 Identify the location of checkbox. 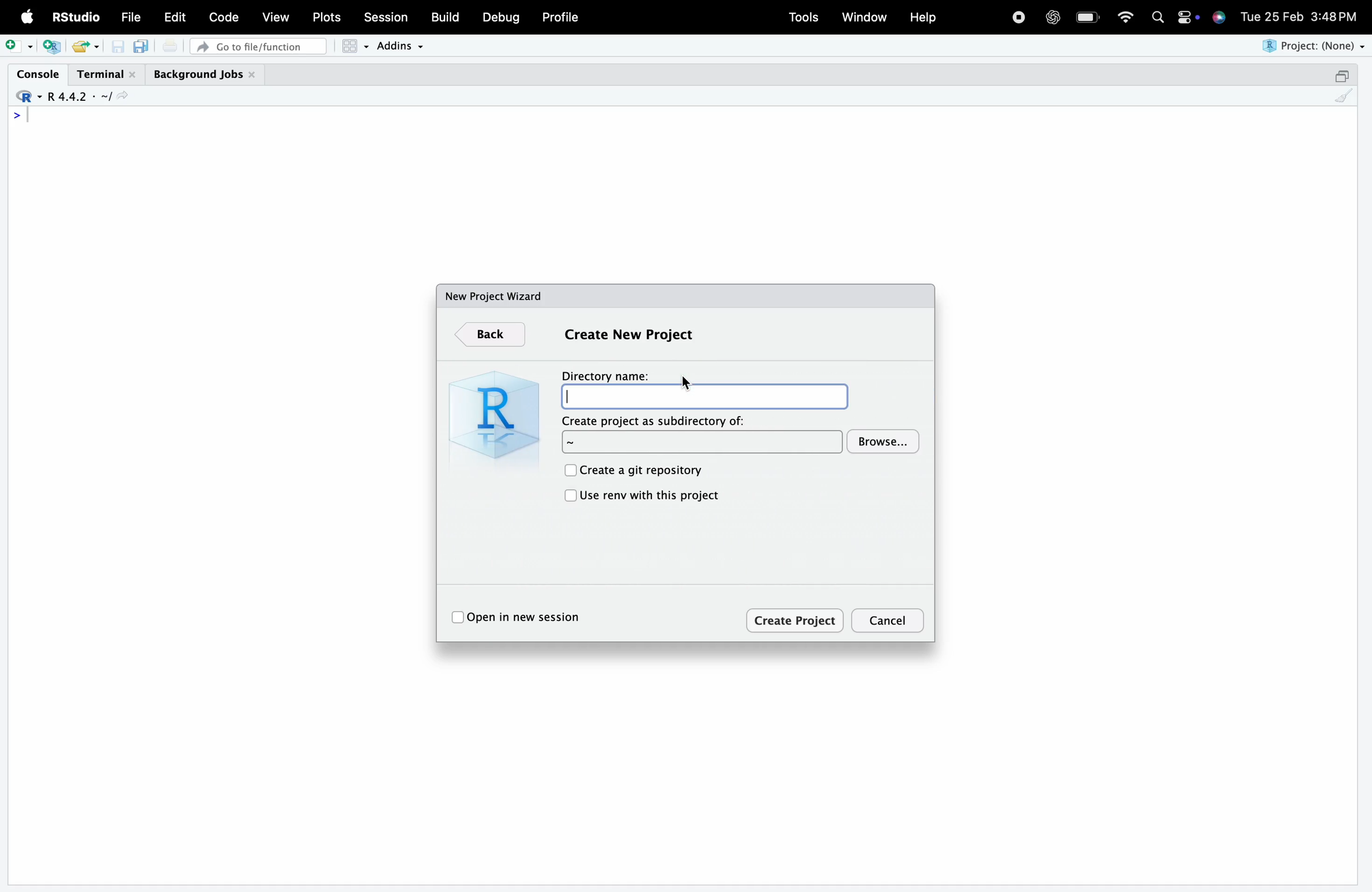
(569, 497).